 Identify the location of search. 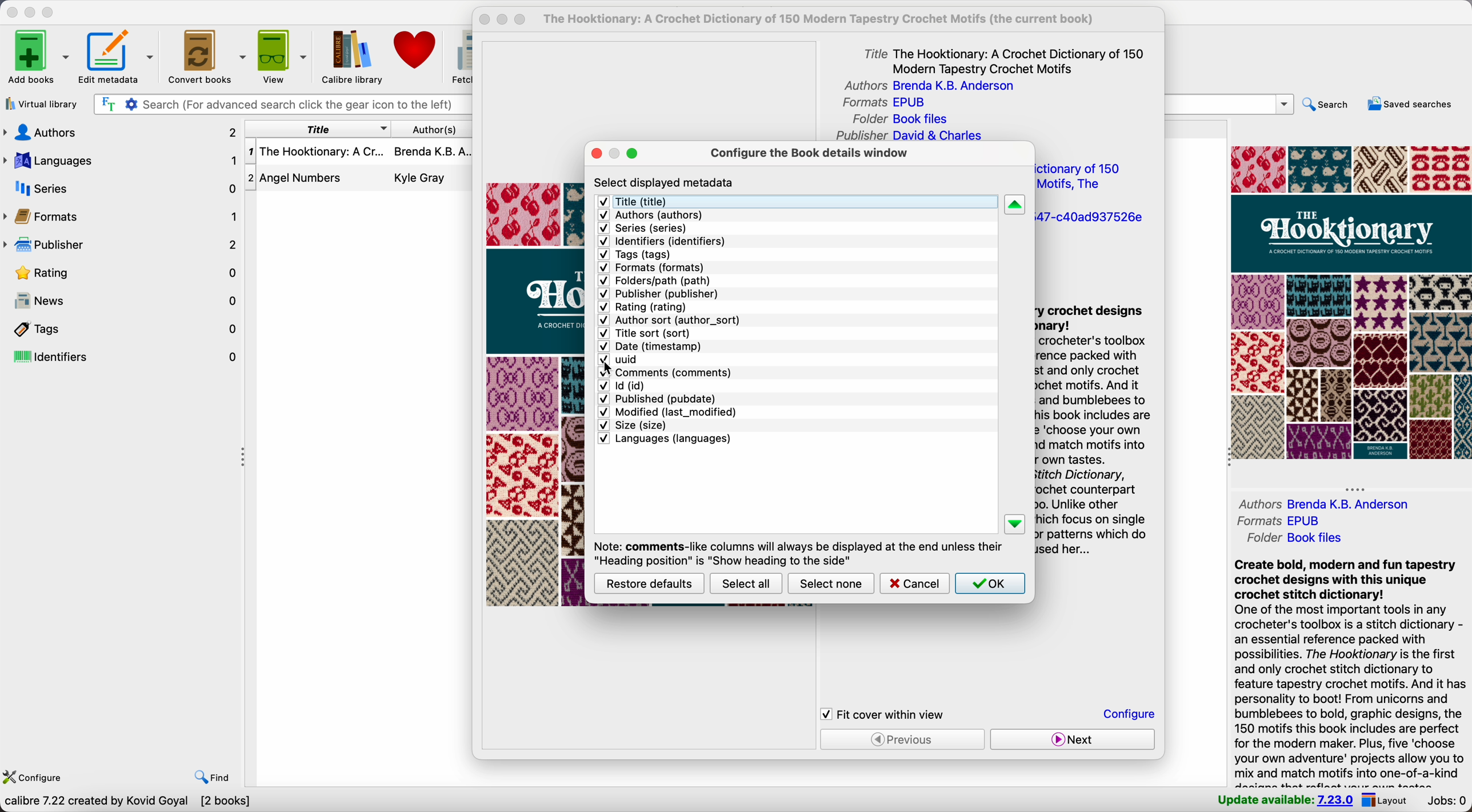
(1327, 107).